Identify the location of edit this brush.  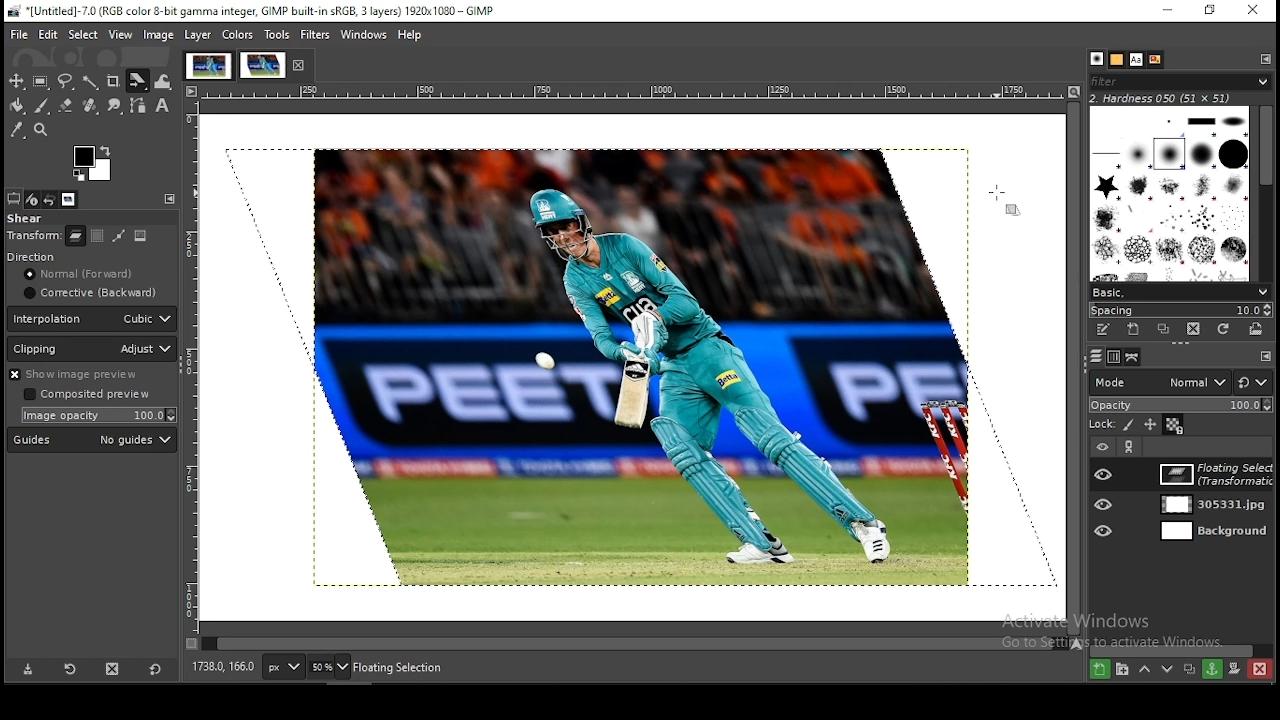
(1104, 330).